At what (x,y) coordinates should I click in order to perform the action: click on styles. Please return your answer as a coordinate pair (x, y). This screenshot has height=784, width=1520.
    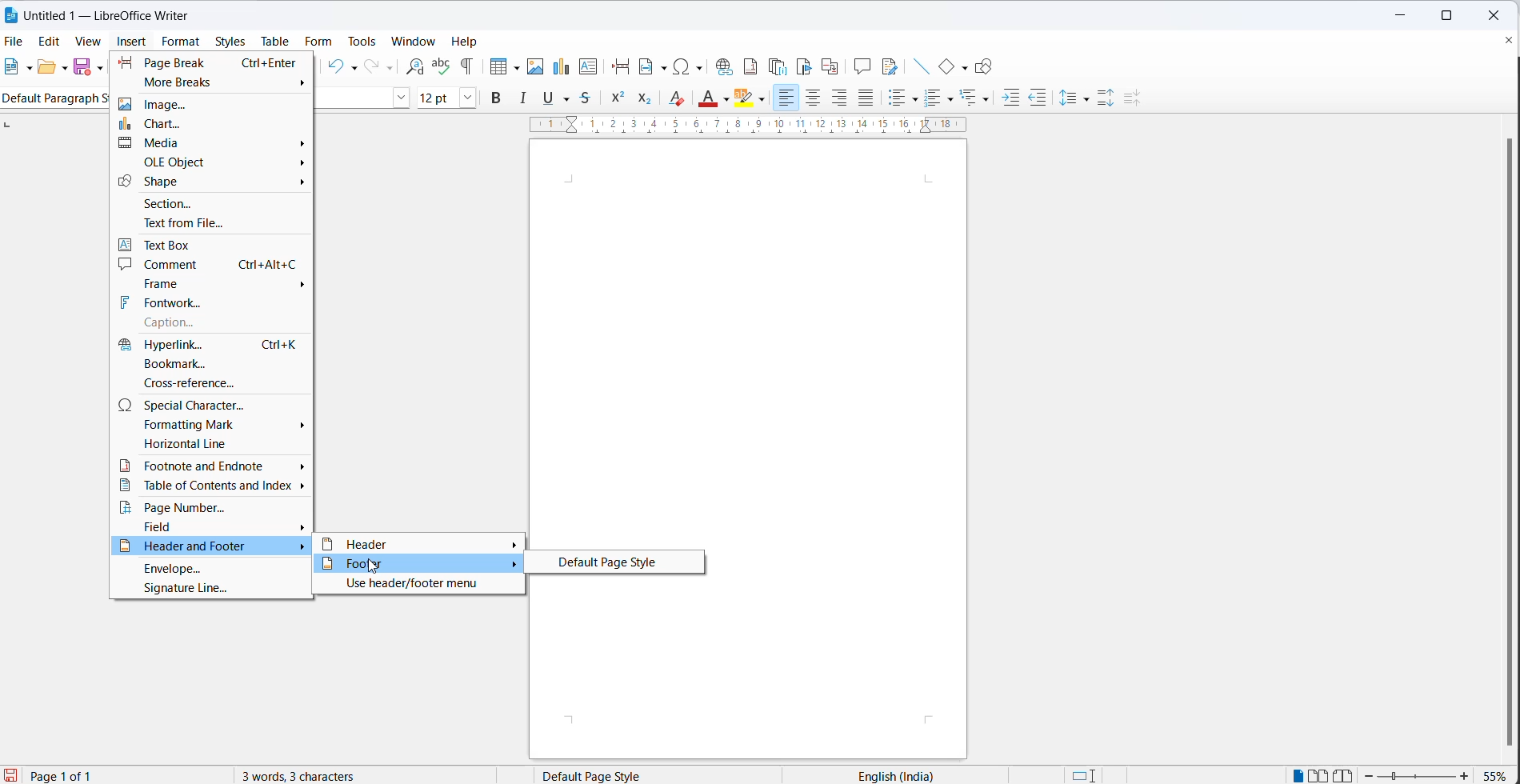
    Looking at the image, I should click on (231, 43).